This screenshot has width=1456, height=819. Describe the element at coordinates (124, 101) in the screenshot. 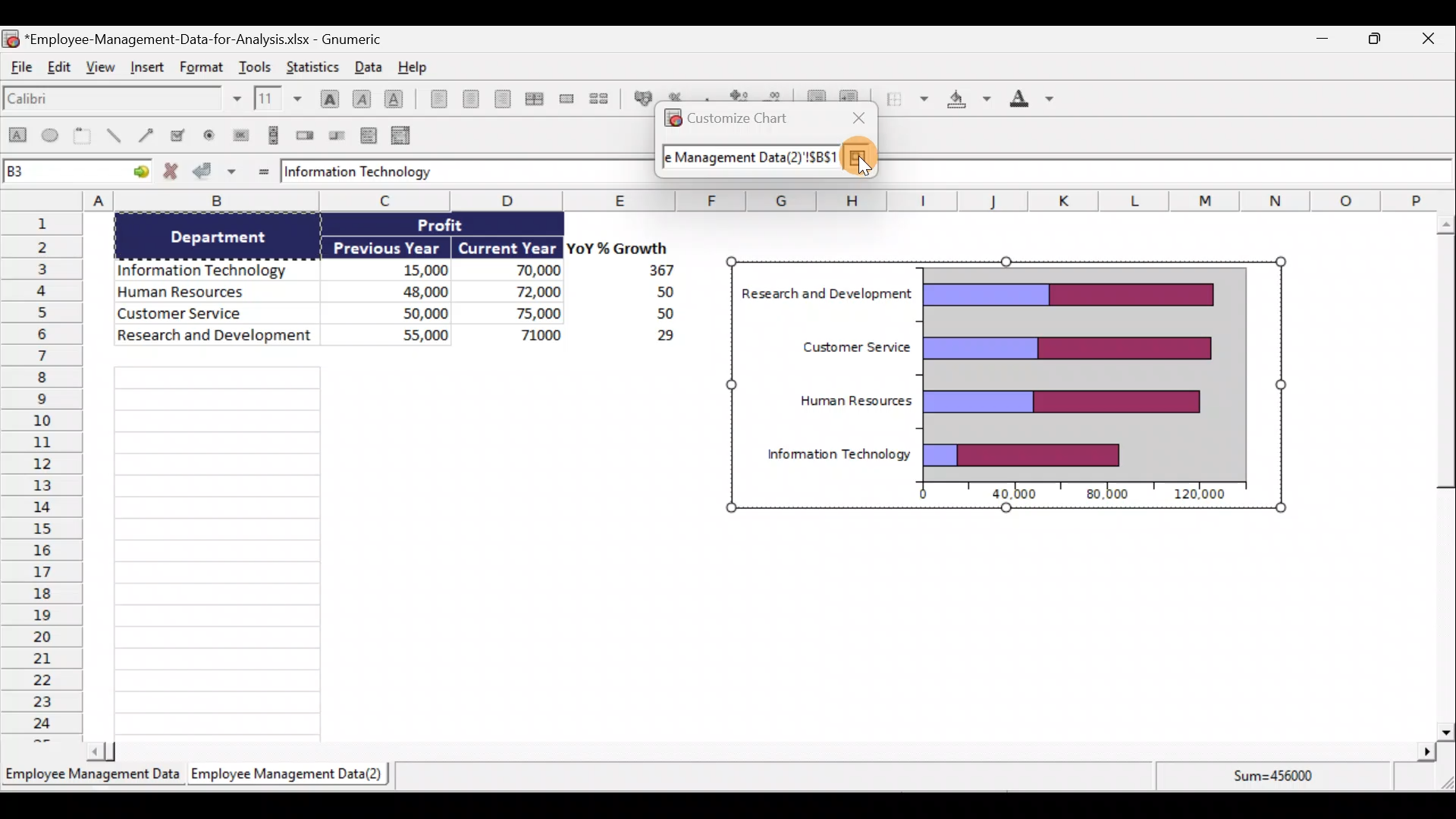

I see `Font name` at that location.